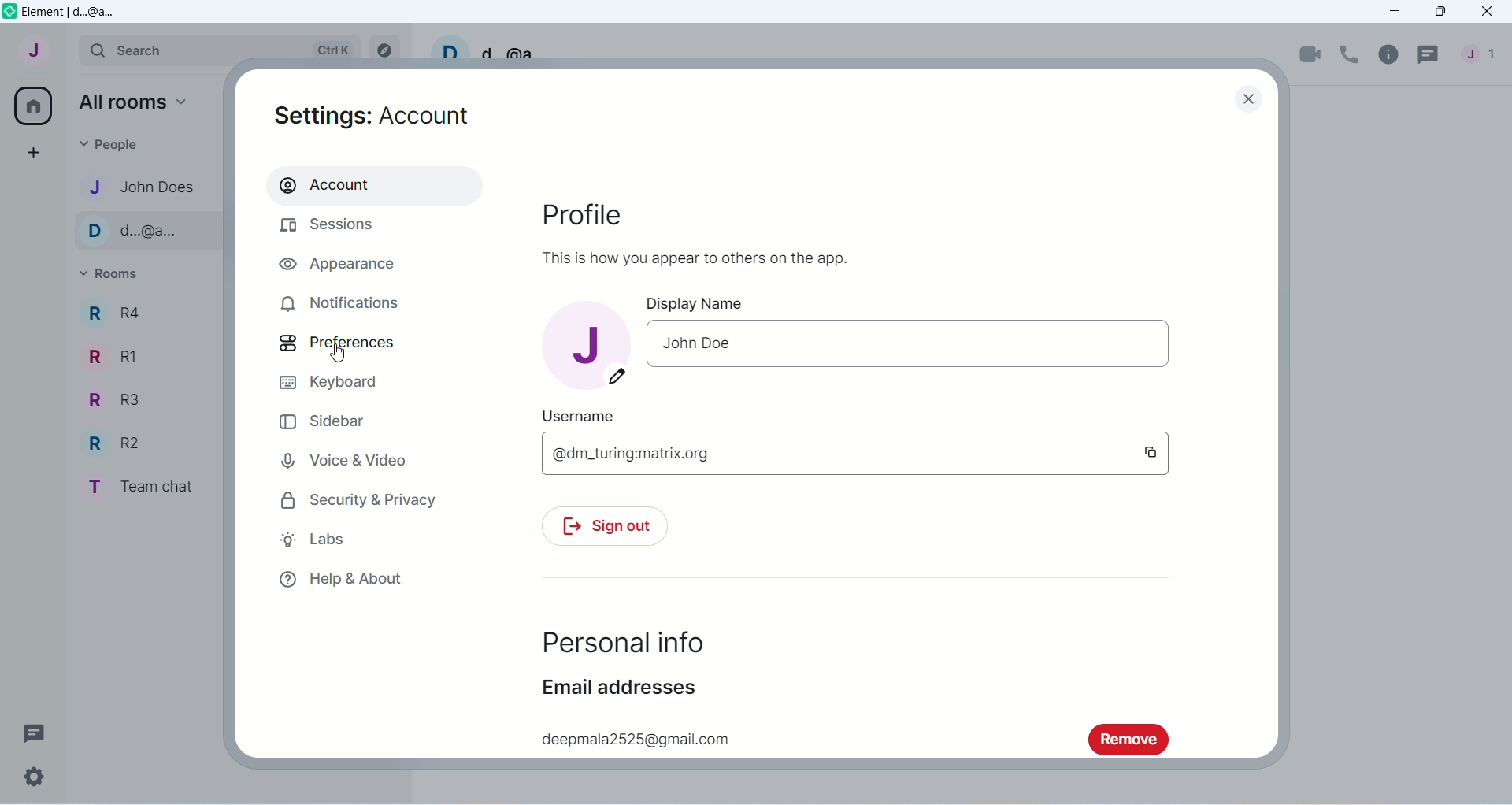 The height and width of the screenshot is (805, 1512). I want to click on Room R2, so click(114, 440).